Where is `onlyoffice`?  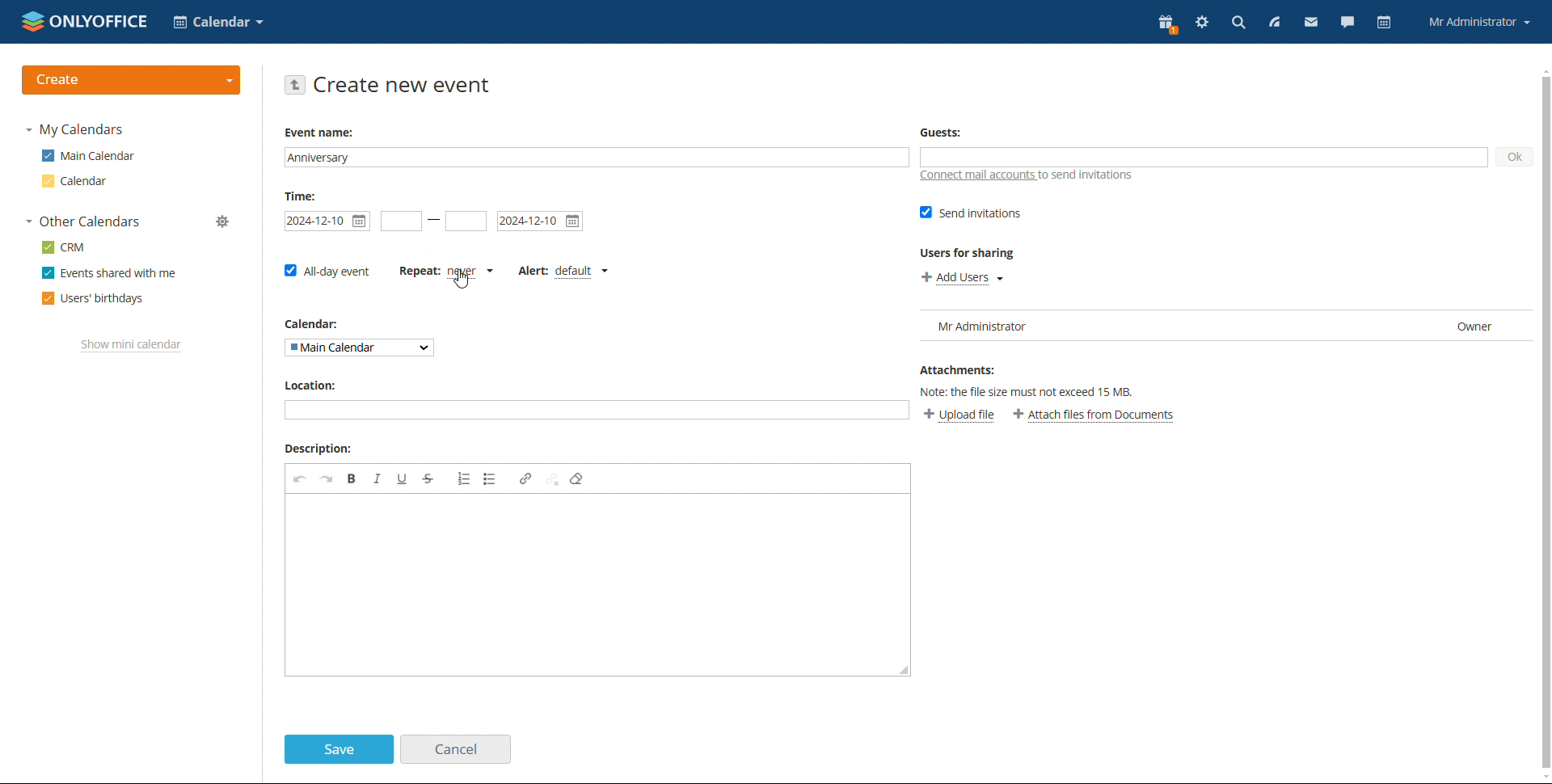 onlyoffice is located at coordinates (101, 23).